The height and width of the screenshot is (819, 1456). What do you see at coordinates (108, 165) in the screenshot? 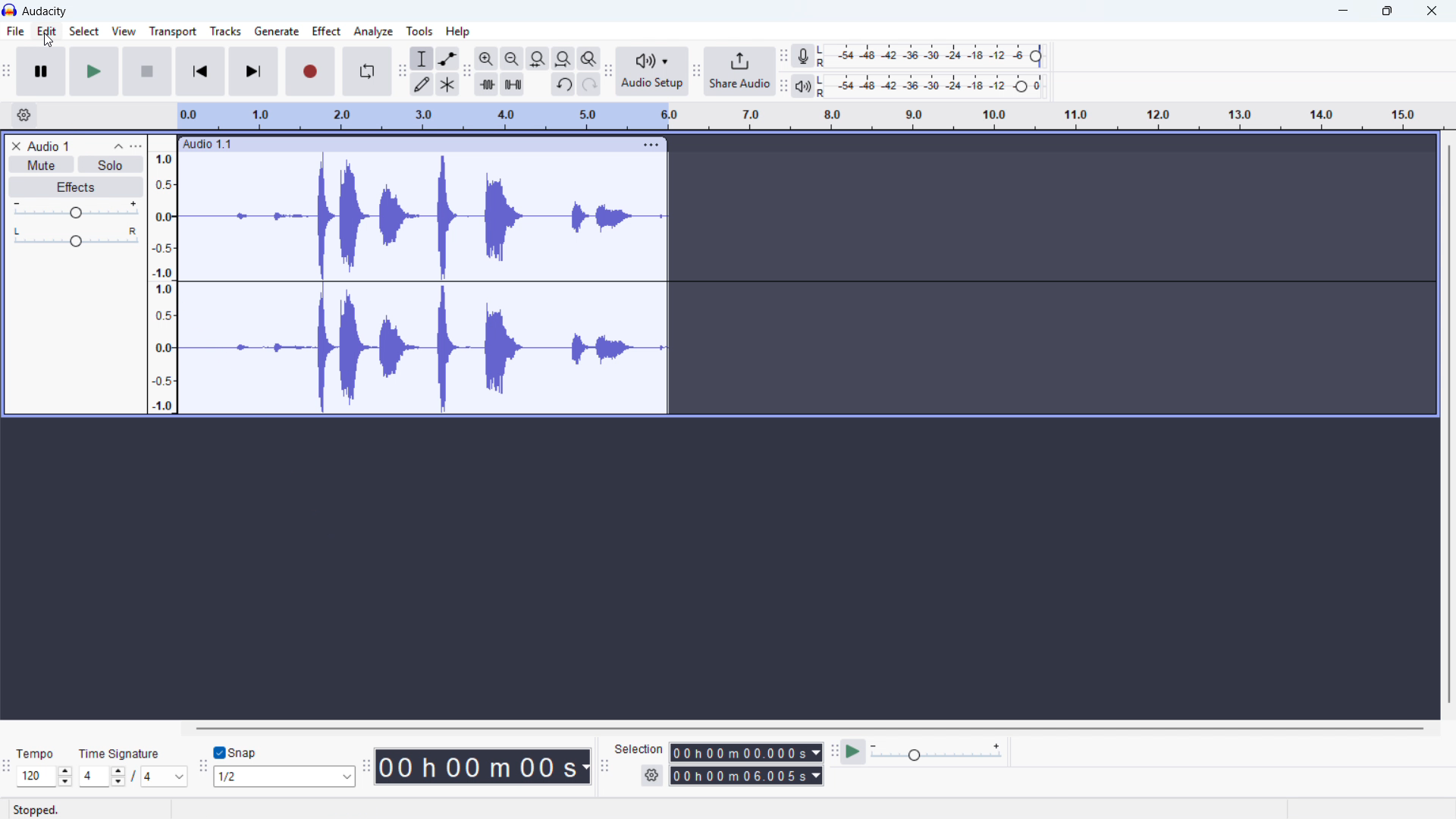
I see `solo` at bounding box center [108, 165].